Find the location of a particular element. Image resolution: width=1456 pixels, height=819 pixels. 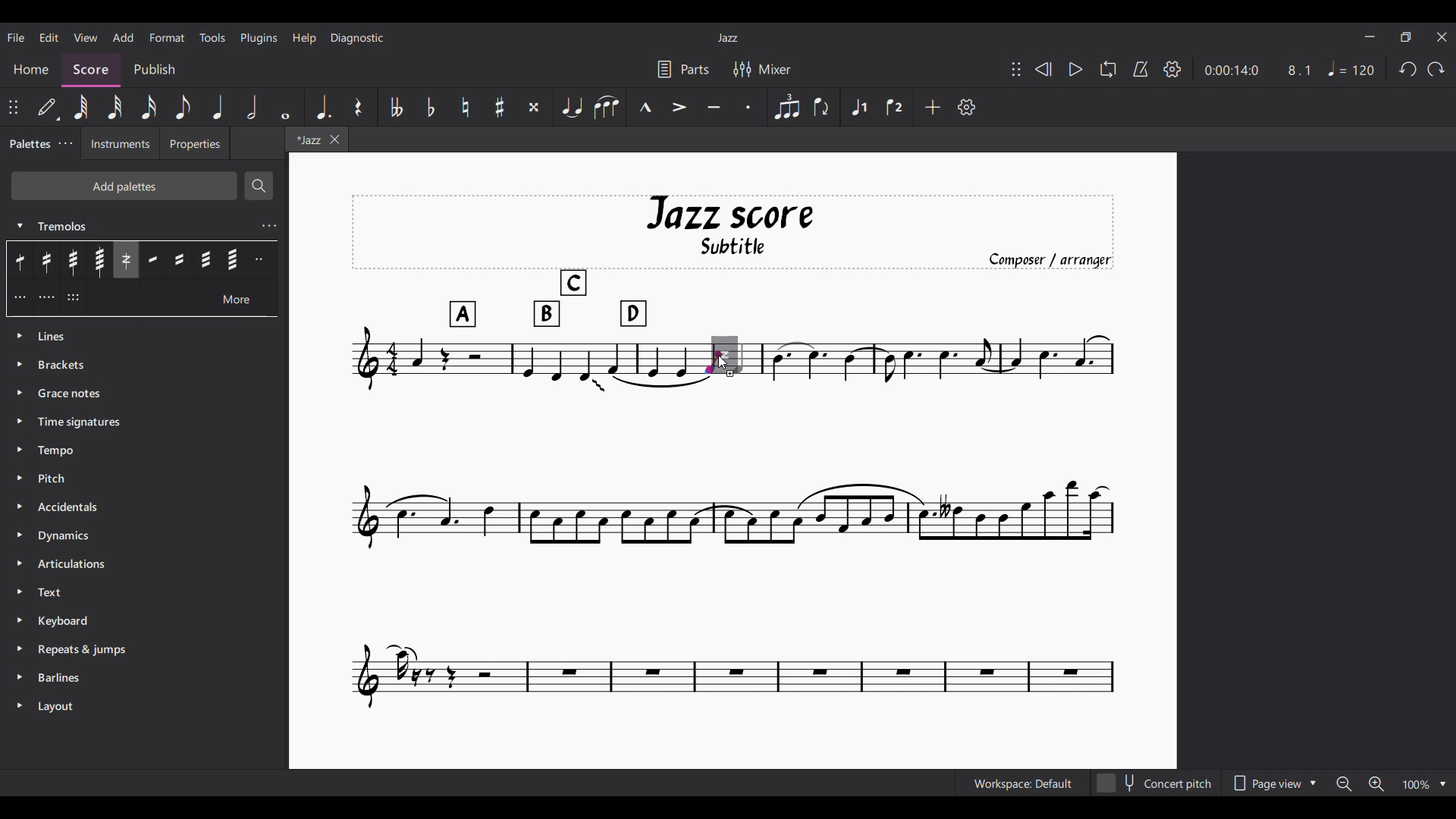

64th between notes is located at coordinates (233, 259).